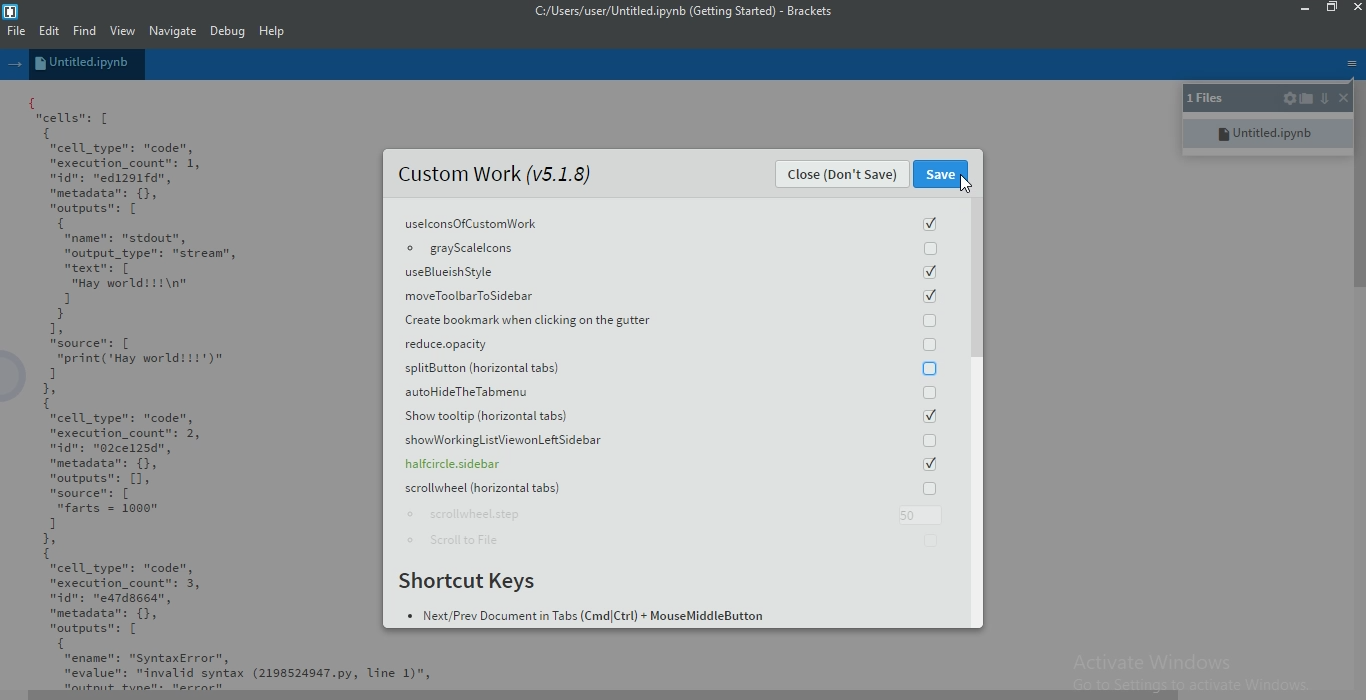  Describe the element at coordinates (837, 175) in the screenshot. I see `Close (Don't Save) ` at that location.